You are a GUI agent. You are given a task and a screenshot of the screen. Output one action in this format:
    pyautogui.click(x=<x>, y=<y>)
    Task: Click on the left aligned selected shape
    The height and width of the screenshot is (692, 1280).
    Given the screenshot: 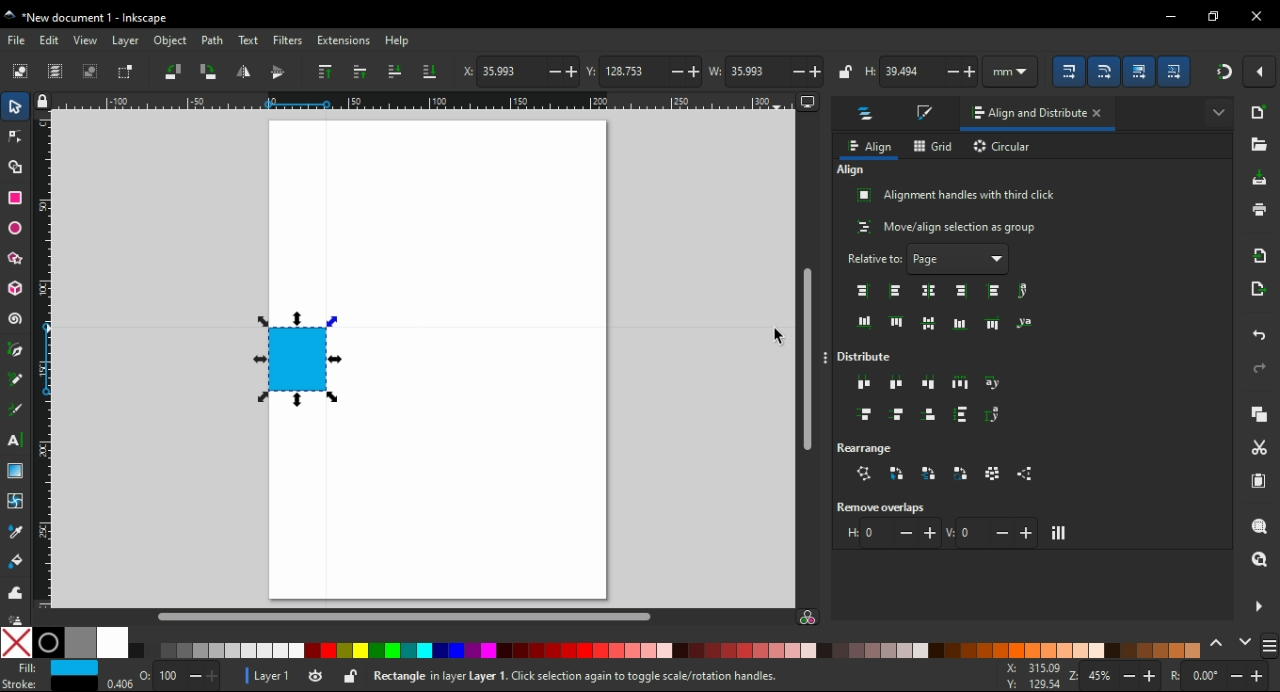 What is the action you would take?
    pyautogui.click(x=297, y=359)
    